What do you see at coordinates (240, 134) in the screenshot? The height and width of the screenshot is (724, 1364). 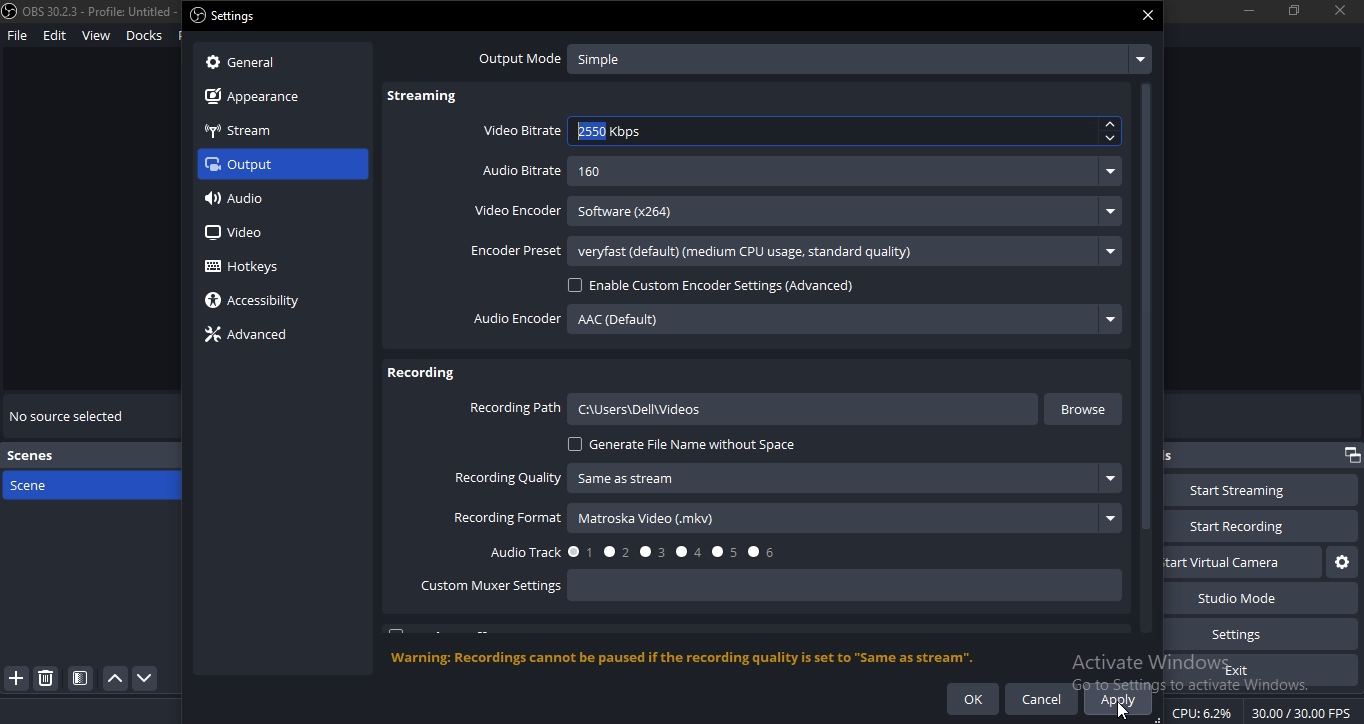 I see `stream` at bounding box center [240, 134].